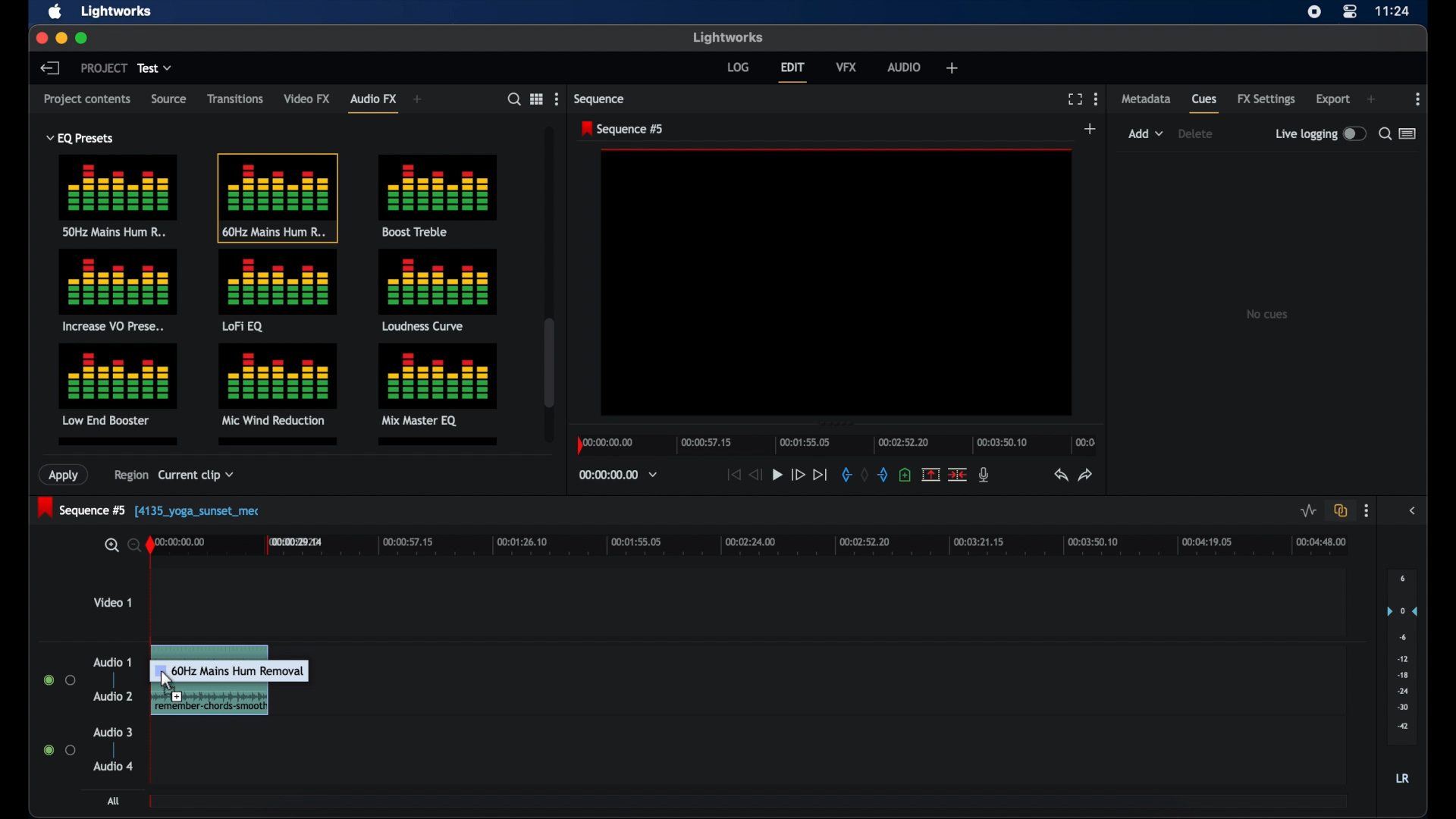  What do you see at coordinates (834, 443) in the screenshot?
I see `timeline` at bounding box center [834, 443].